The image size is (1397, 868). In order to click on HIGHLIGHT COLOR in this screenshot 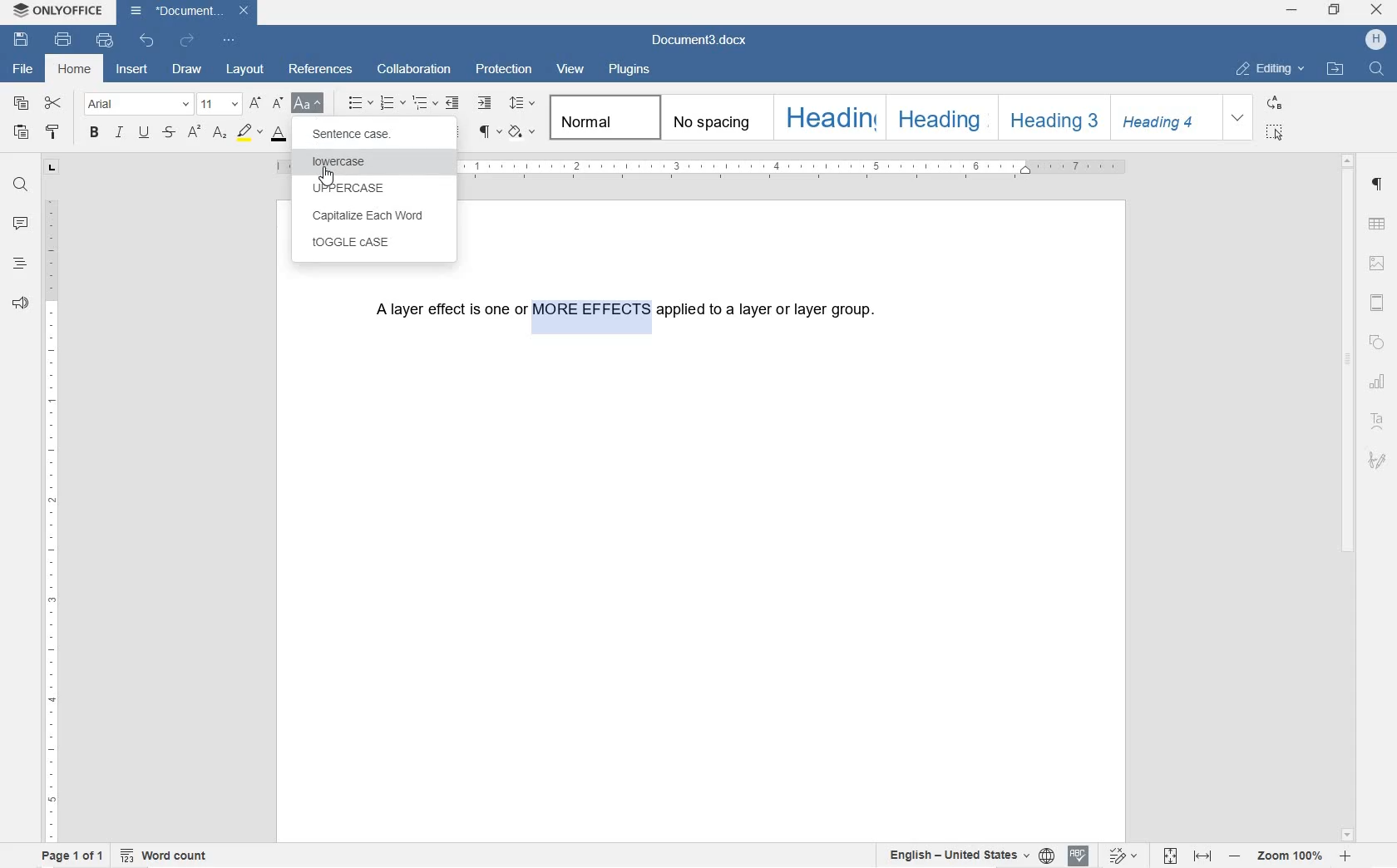, I will do `click(249, 132)`.